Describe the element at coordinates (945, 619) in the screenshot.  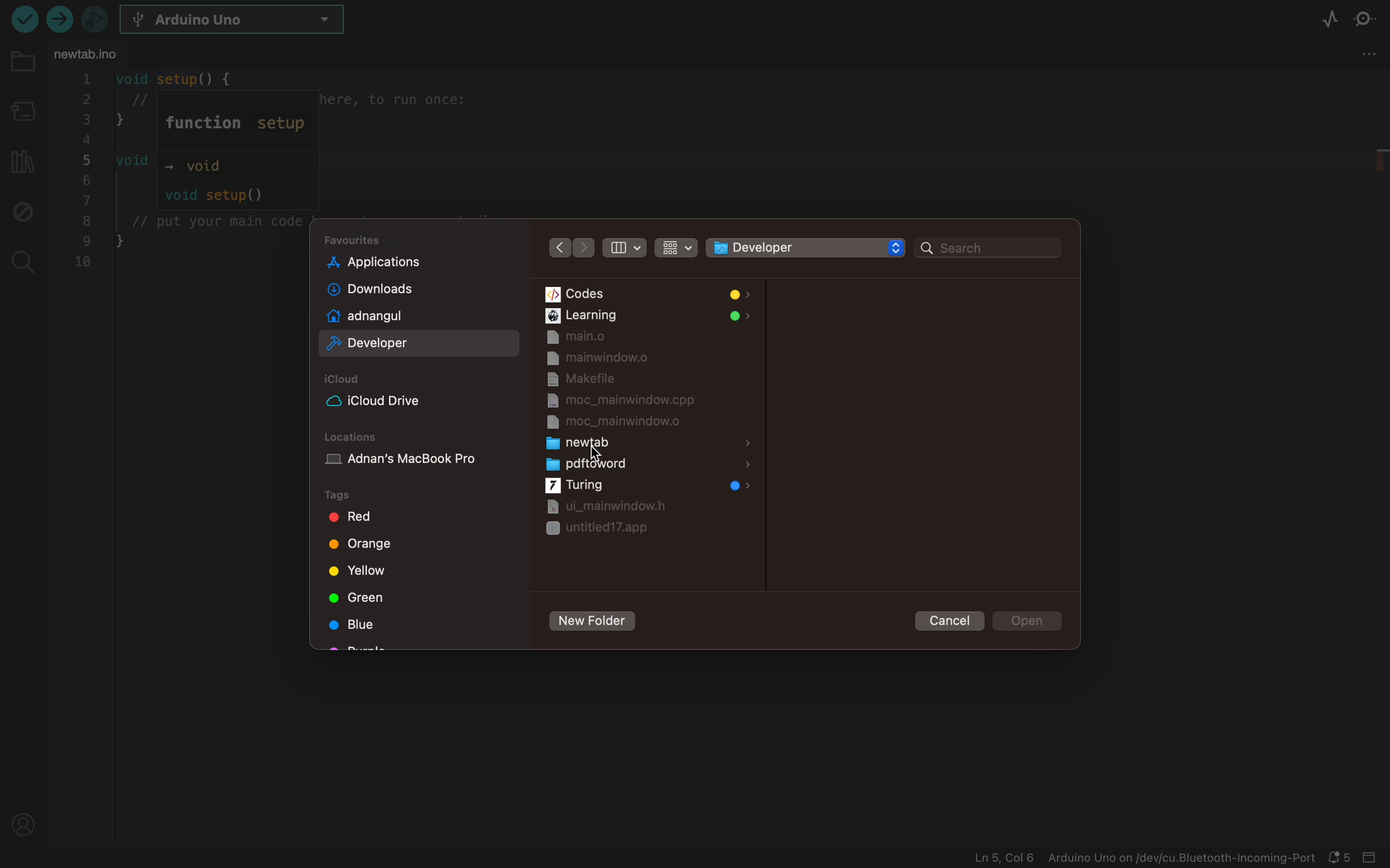
I see `cancel` at that location.